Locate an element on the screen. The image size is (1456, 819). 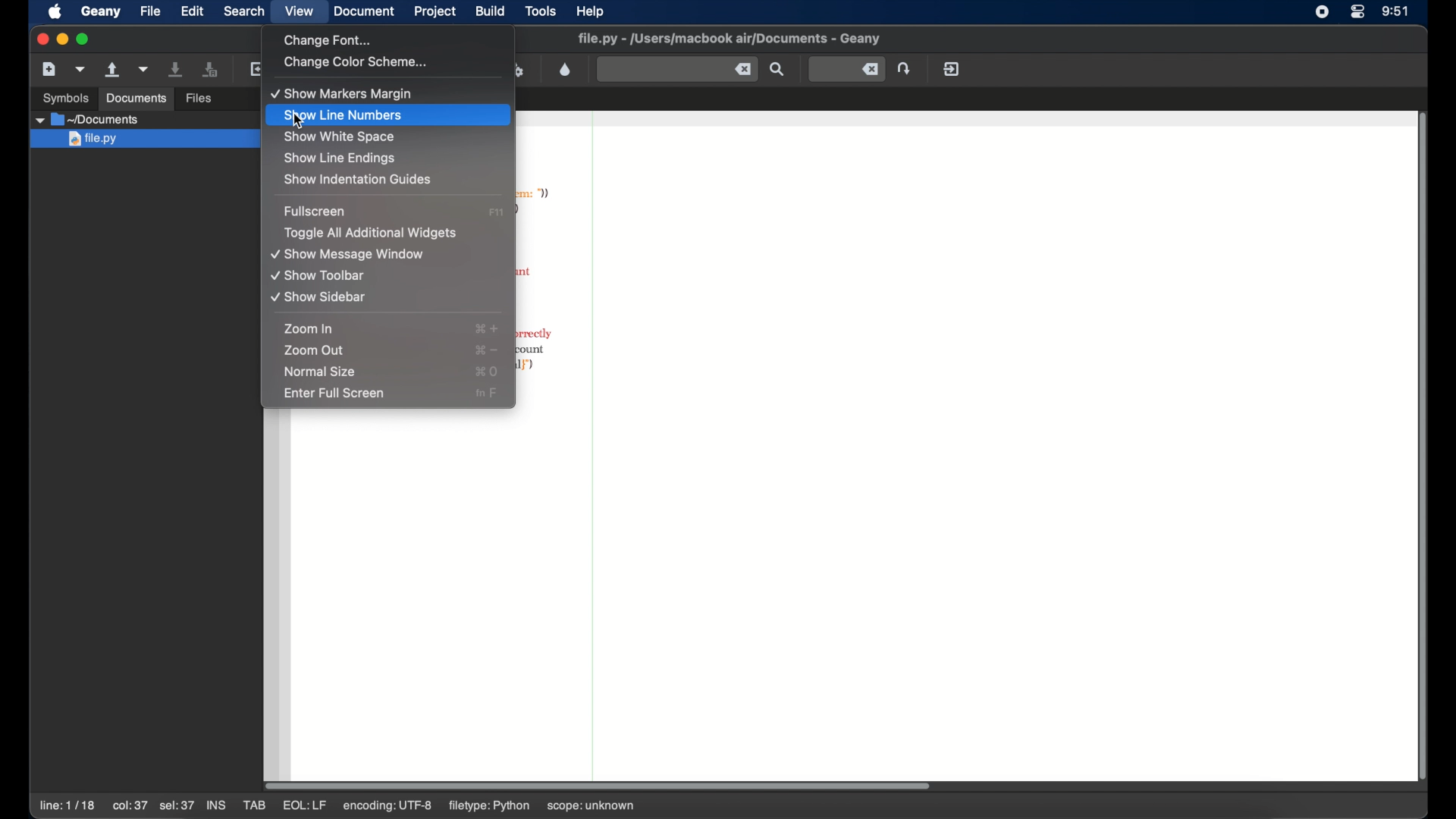
show indentation guides is located at coordinates (358, 180).